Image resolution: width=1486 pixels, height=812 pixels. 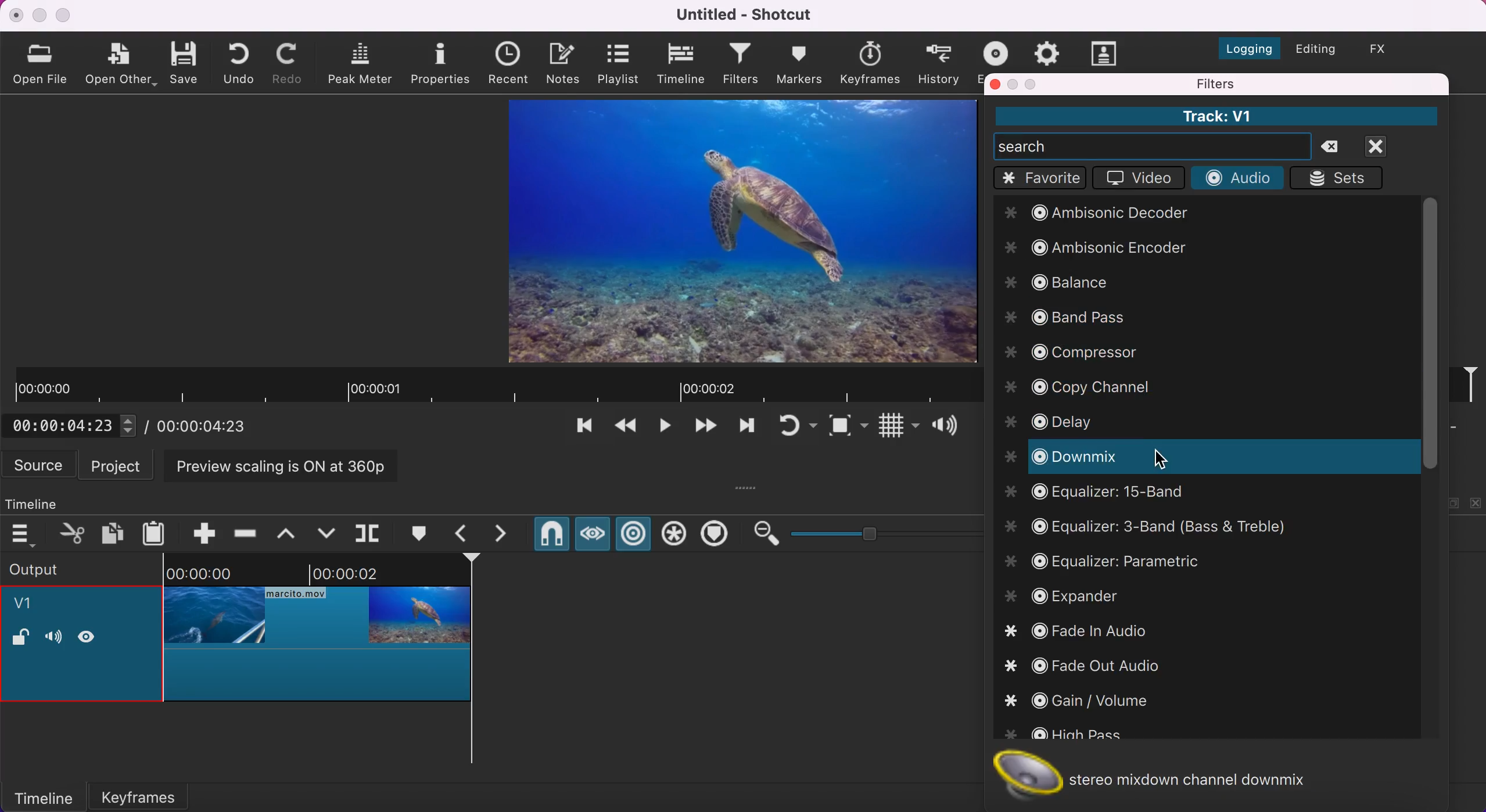 What do you see at coordinates (422, 534) in the screenshot?
I see `create/edit marker` at bounding box center [422, 534].